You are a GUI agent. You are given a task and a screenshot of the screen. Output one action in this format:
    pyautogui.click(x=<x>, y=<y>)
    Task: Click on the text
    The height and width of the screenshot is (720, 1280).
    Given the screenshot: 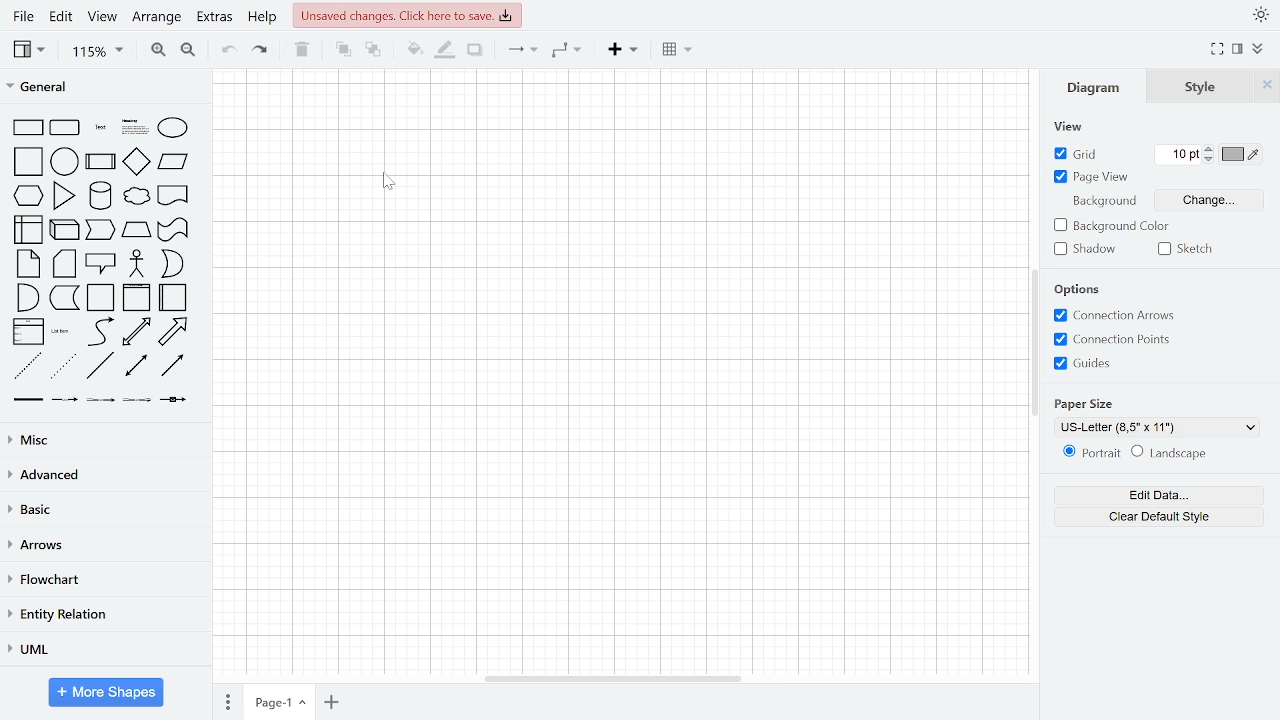 What is the action you would take?
    pyautogui.click(x=98, y=129)
    